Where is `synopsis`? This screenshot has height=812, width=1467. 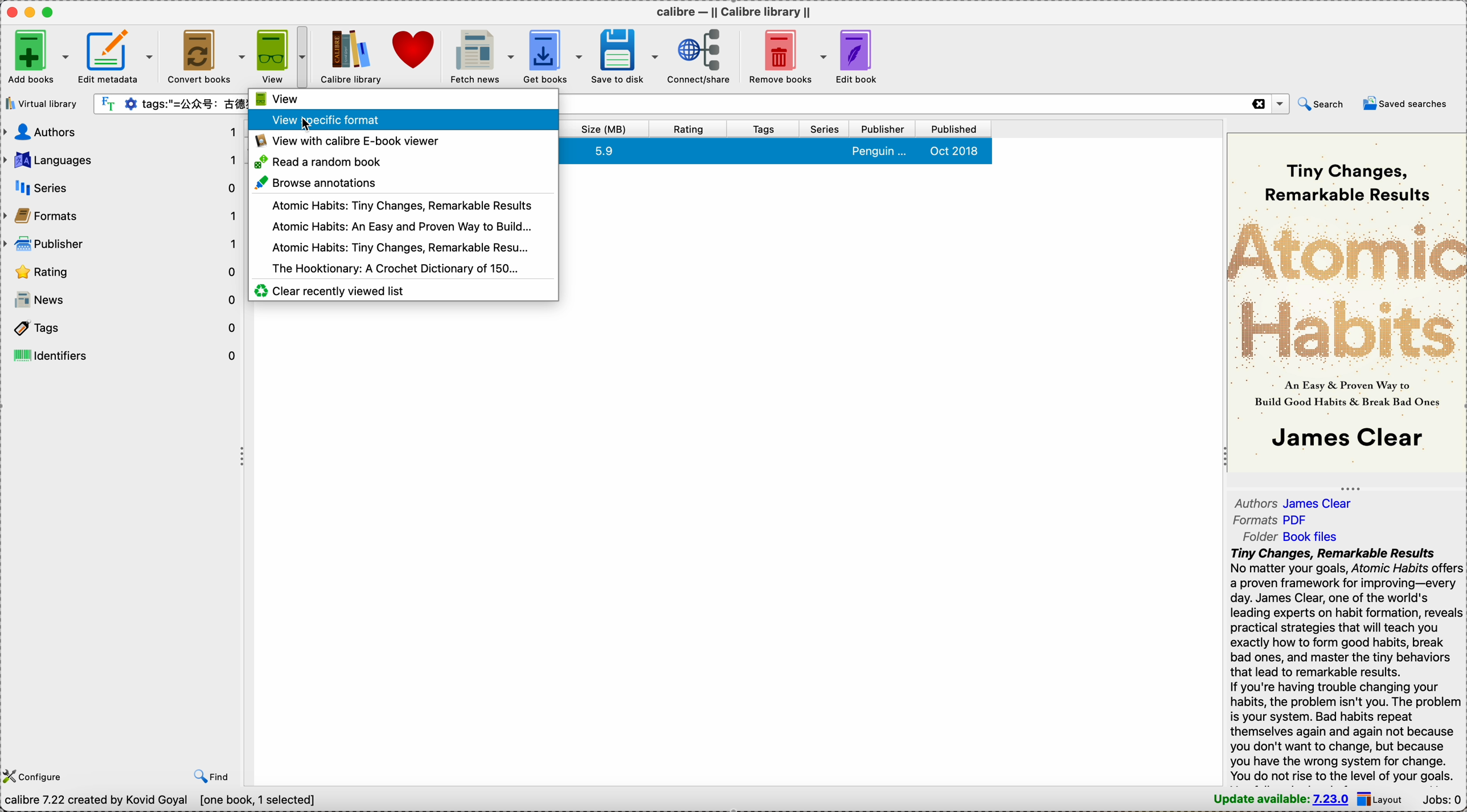 synopsis is located at coordinates (1346, 665).